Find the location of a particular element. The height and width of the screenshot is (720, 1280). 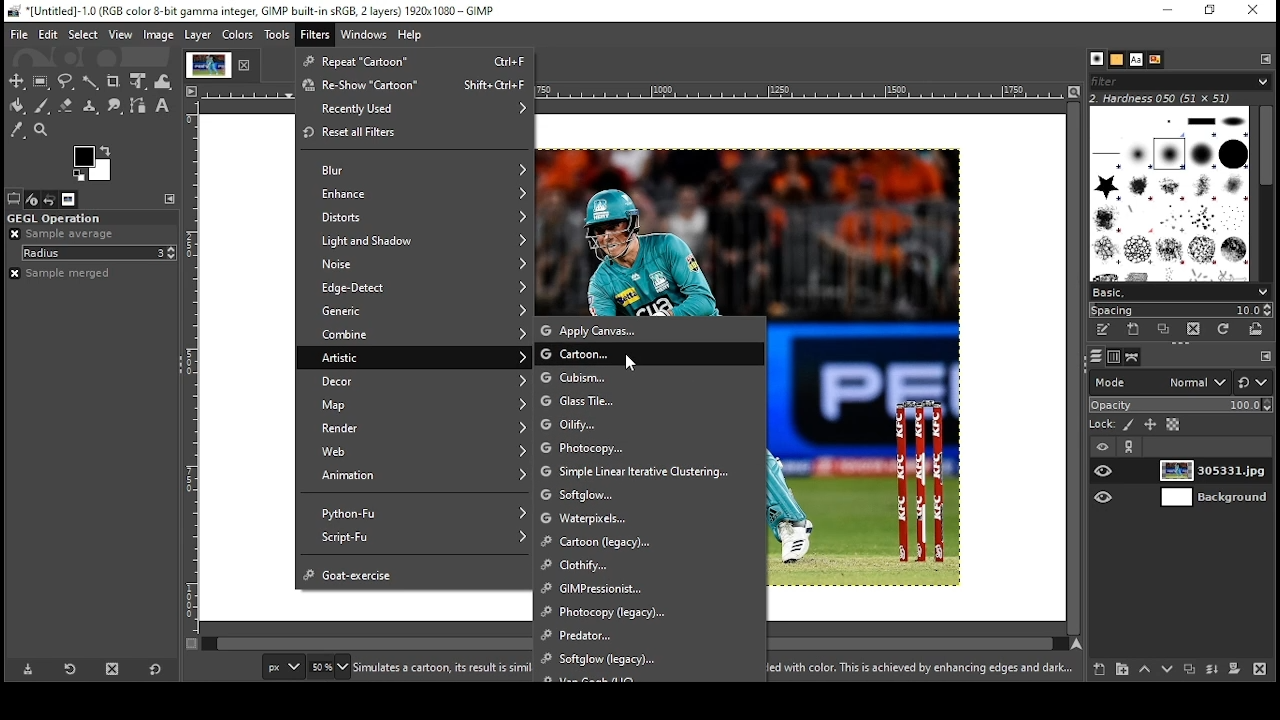

create new layer is located at coordinates (1100, 670).